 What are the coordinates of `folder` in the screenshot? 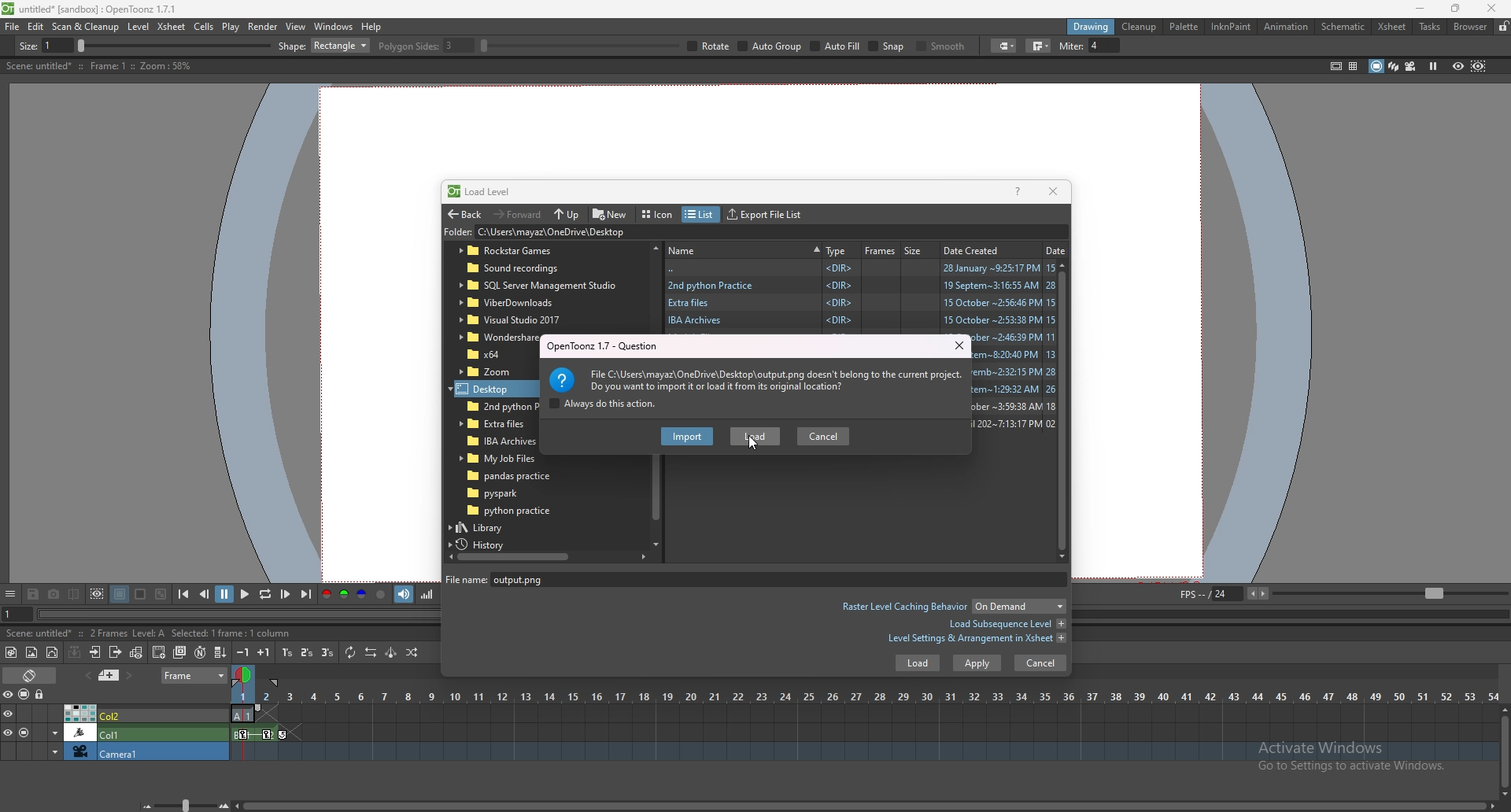 It's located at (516, 476).